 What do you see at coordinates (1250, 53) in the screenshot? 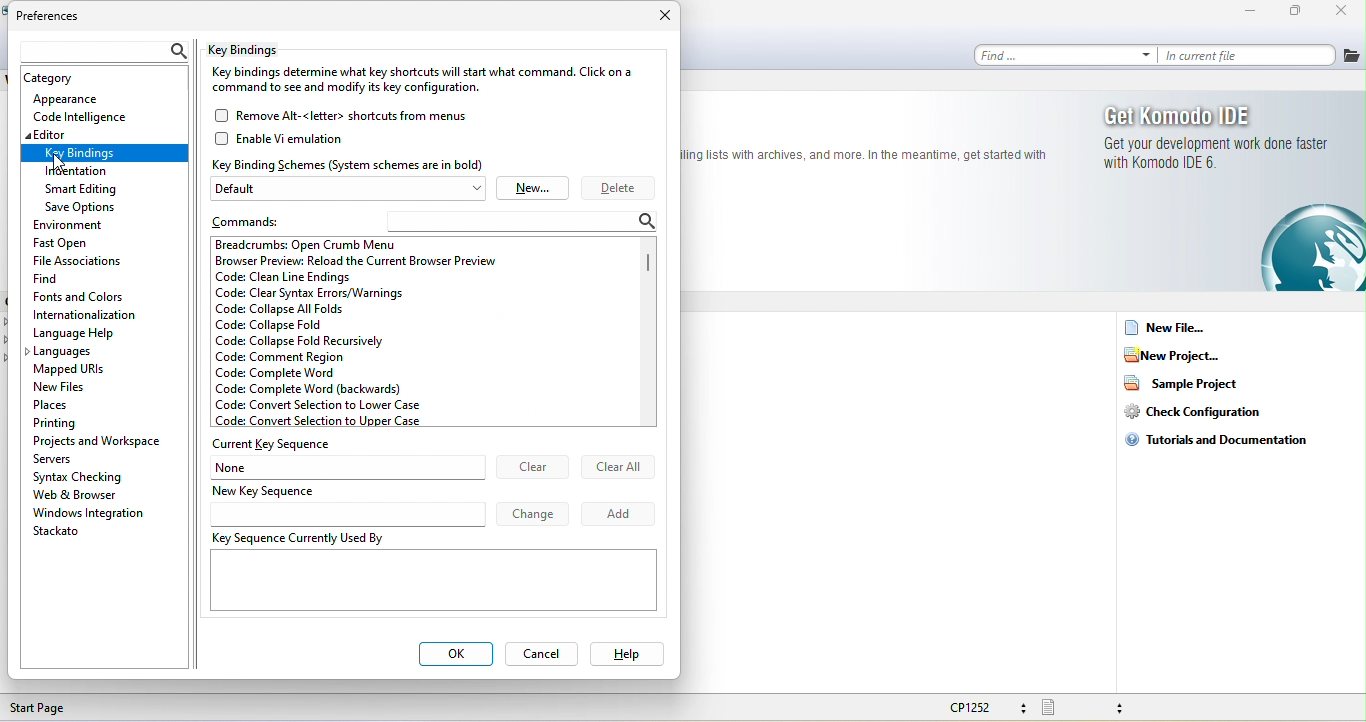
I see `in current file` at bounding box center [1250, 53].